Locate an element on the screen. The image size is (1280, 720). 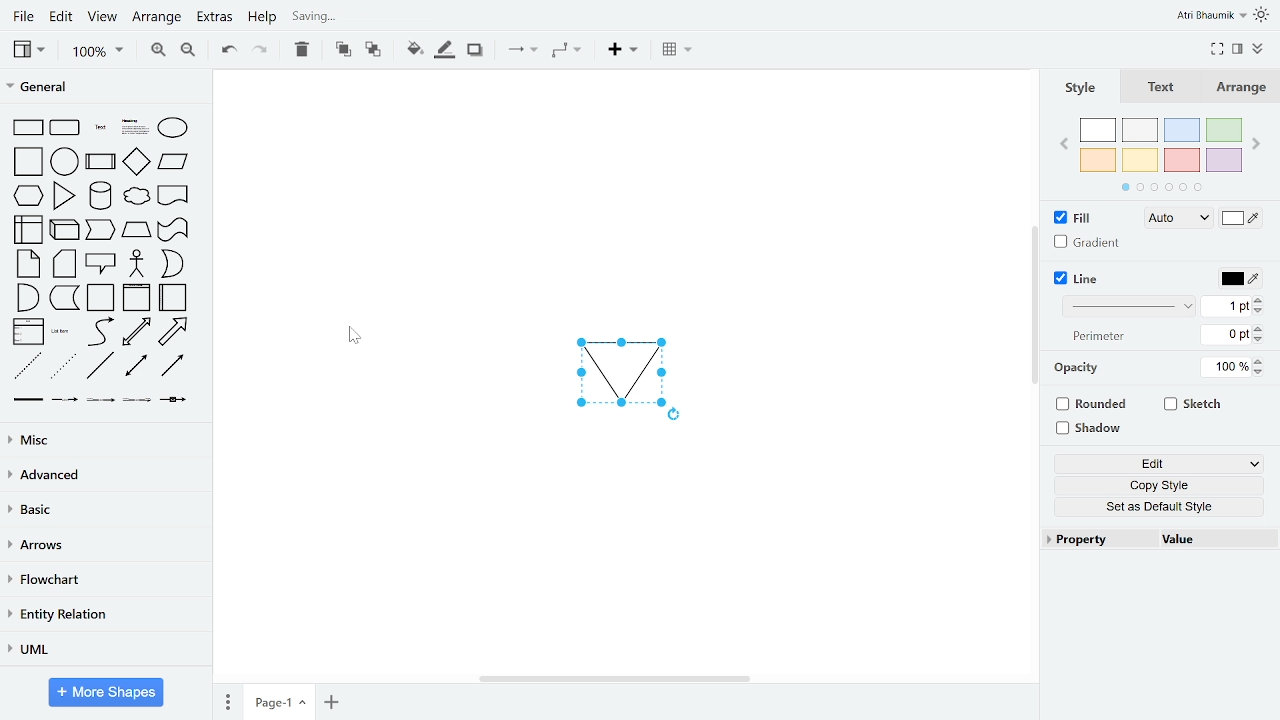
cube is located at coordinates (65, 229).